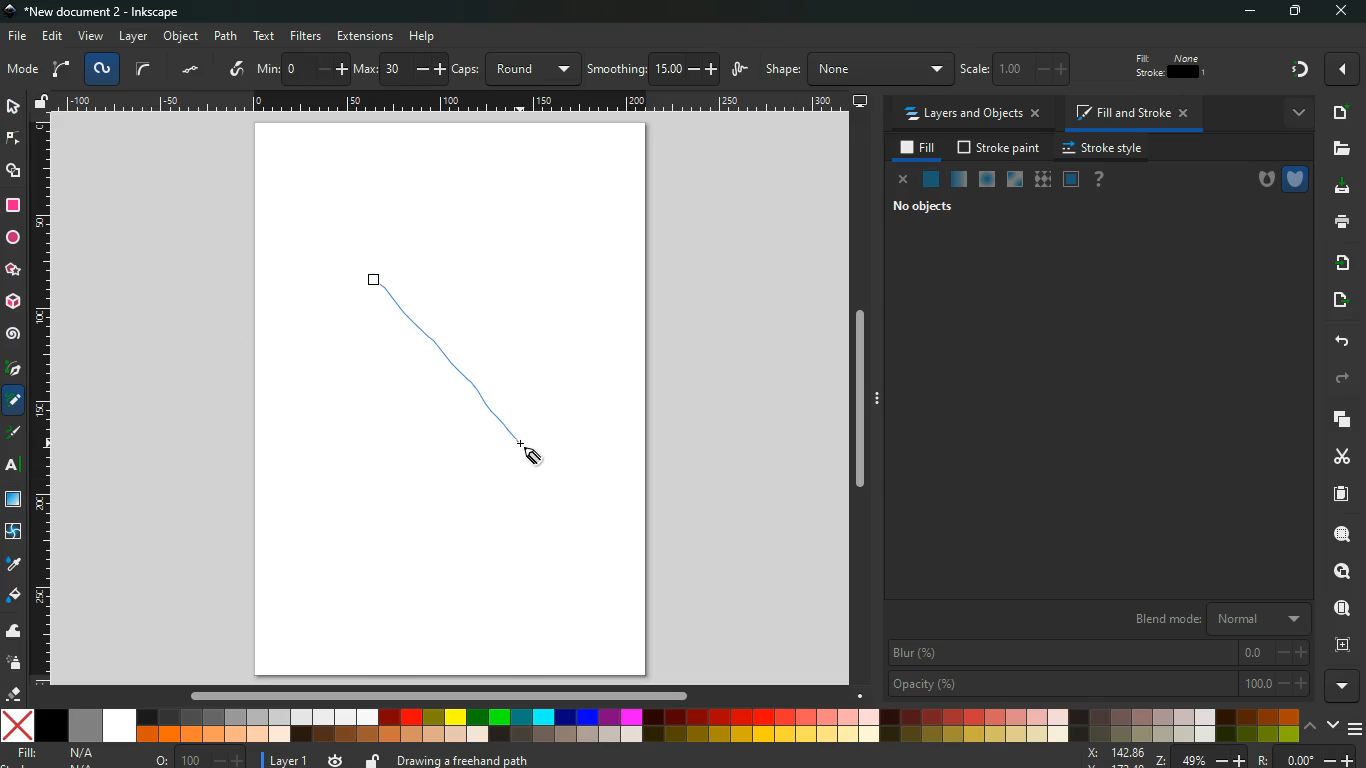 The width and height of the screenshot is (1366, 768). What do you see at coordinates (14, 404) in the screenshot?
I see `pencil tool` at bounding box center [14, 404].